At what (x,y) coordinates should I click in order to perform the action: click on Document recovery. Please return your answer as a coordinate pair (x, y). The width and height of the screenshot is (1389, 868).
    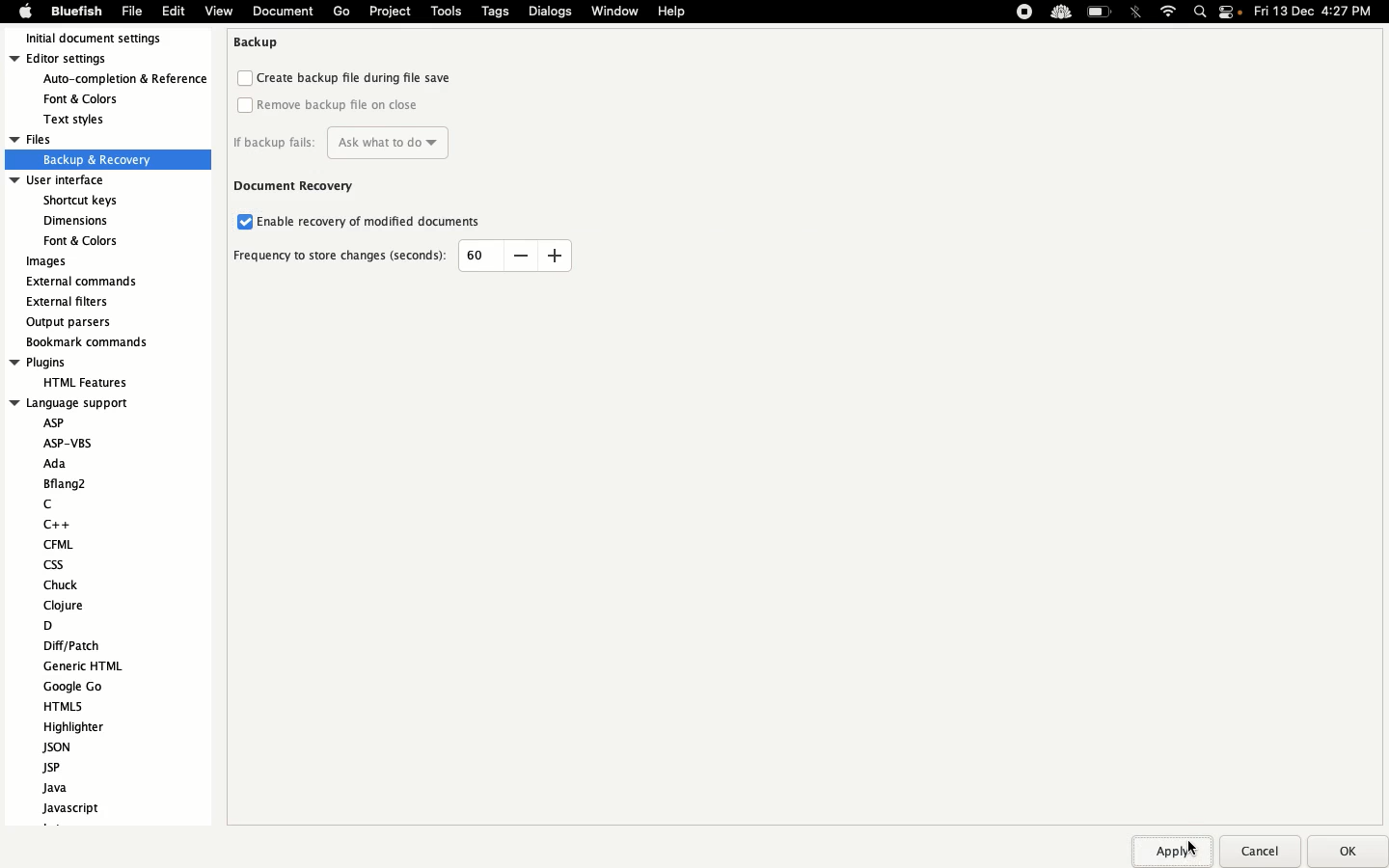
    Looking at the image, I should click on (296, 187).